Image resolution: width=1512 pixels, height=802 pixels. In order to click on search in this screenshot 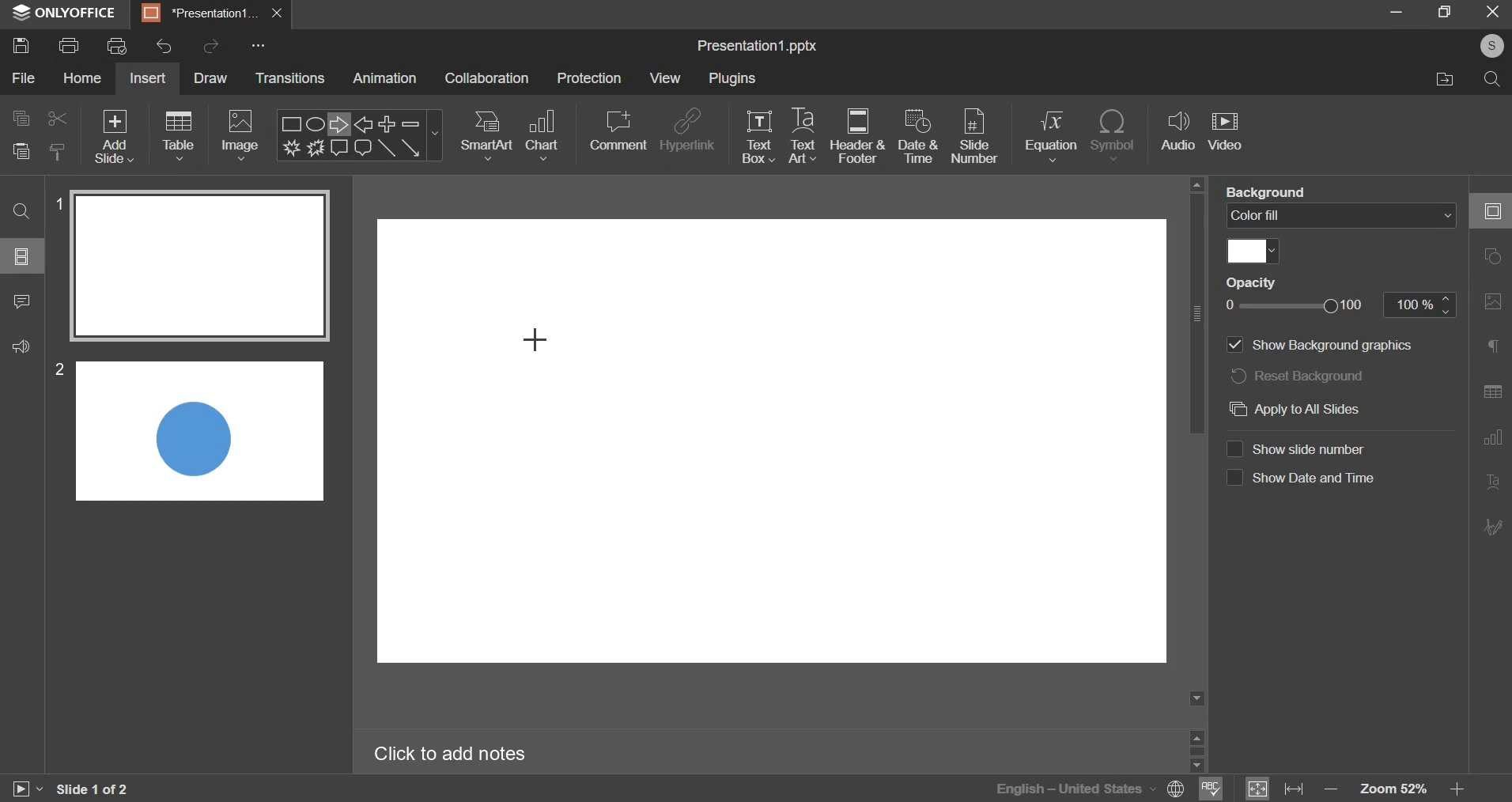, I will do `click(1494, 81)`.